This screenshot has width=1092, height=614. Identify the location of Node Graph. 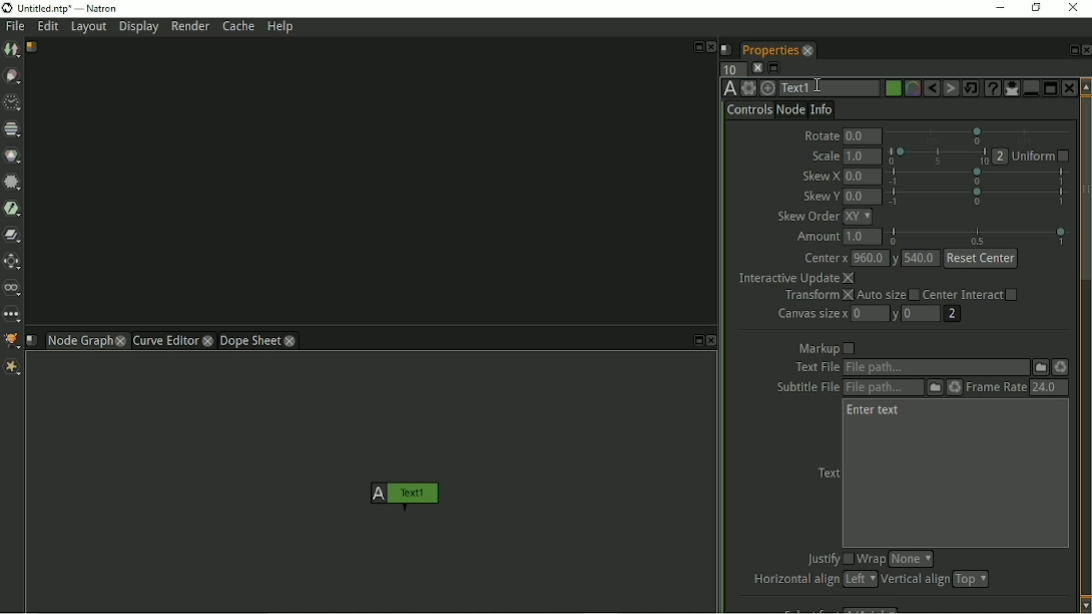
(78, 342).